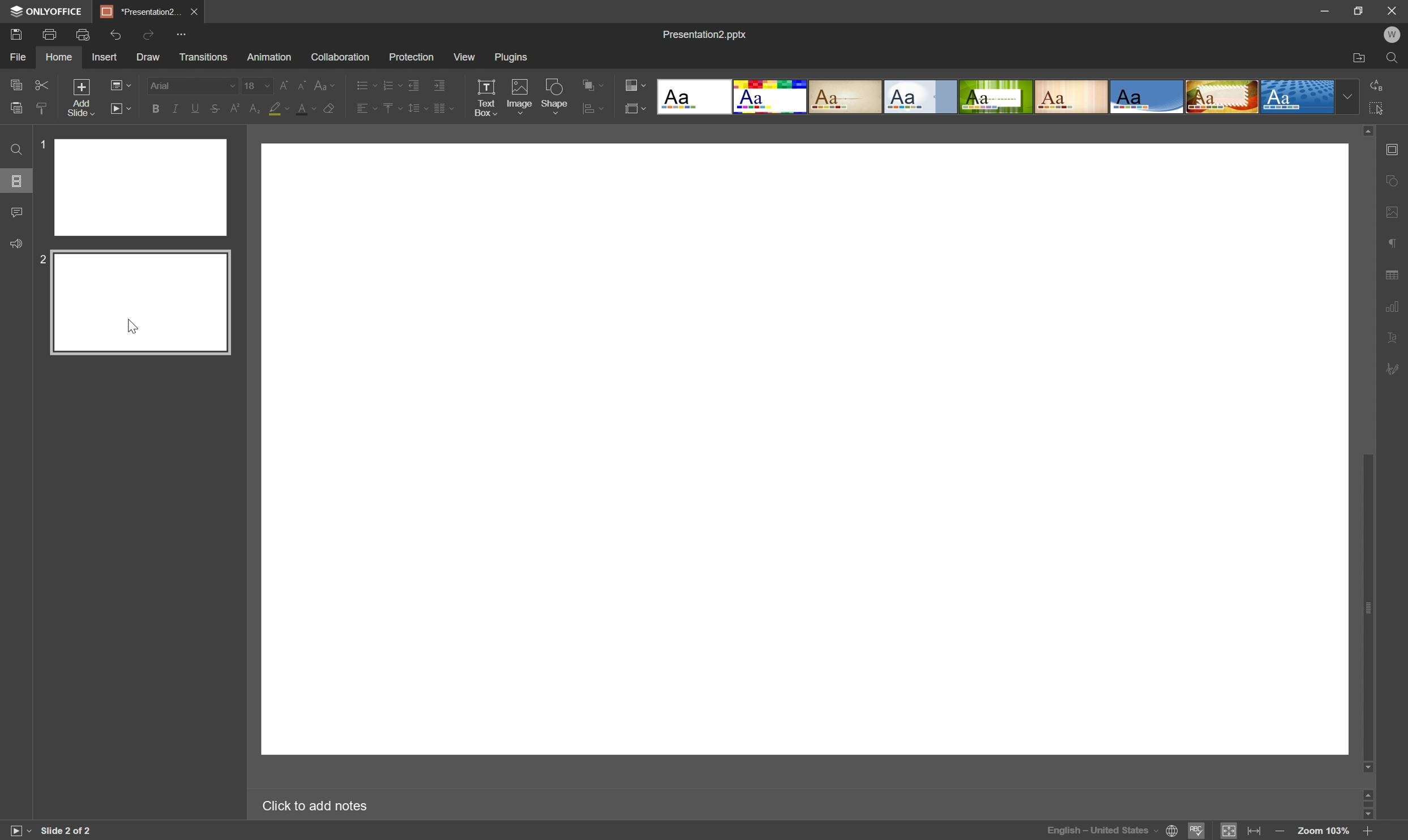 This screenshot has width=1408, height=840. What do you see at coordinates (191, 85) in the screenshot?
I see `Font` at bounding box center [191, 85].